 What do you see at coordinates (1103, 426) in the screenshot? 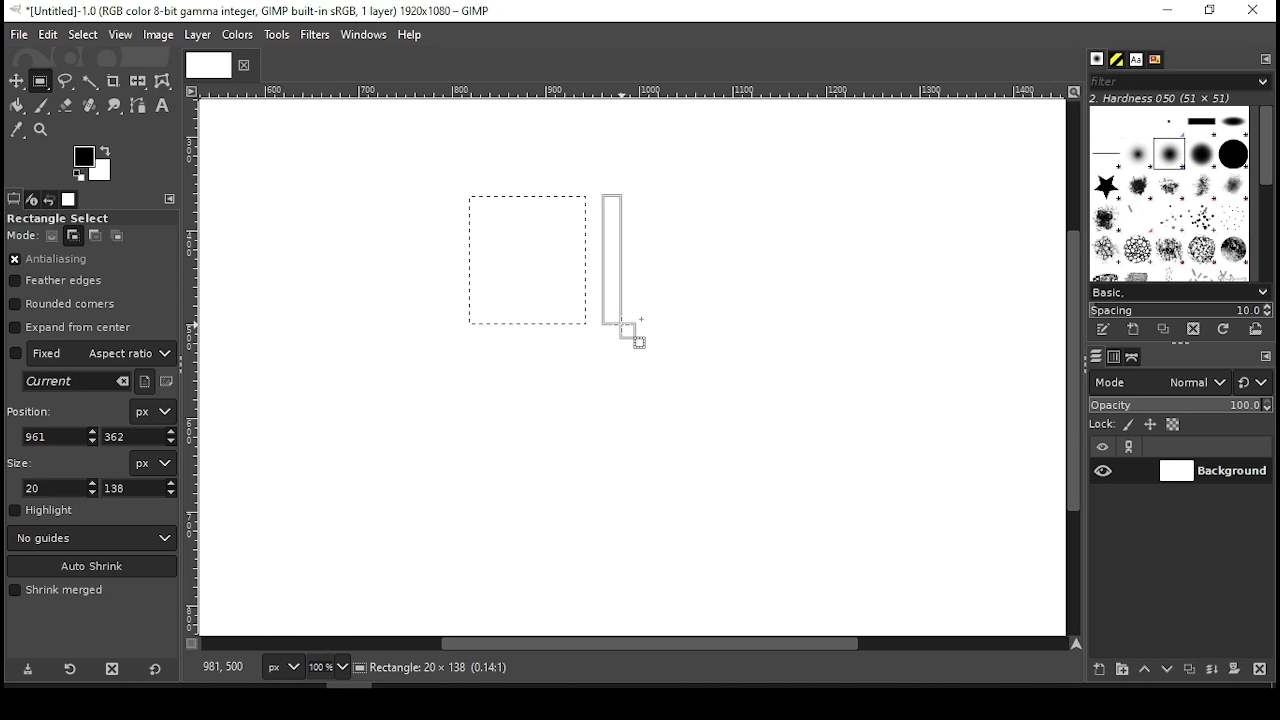
I see `lock:` at bounding box center [1103, 426].